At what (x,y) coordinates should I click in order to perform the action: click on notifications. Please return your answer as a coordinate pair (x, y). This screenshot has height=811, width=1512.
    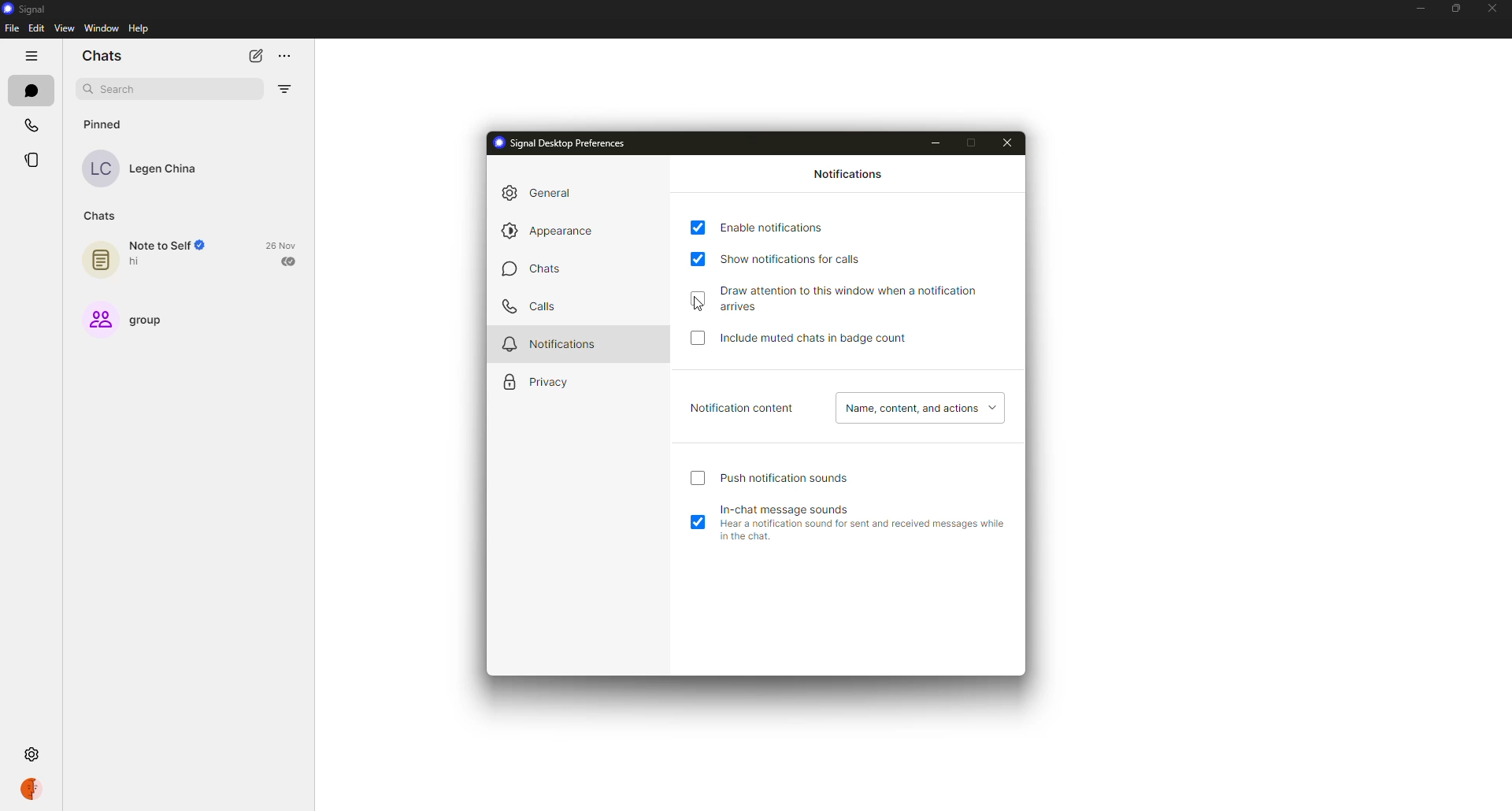
    Looking at the image, I should click on (550, 343).